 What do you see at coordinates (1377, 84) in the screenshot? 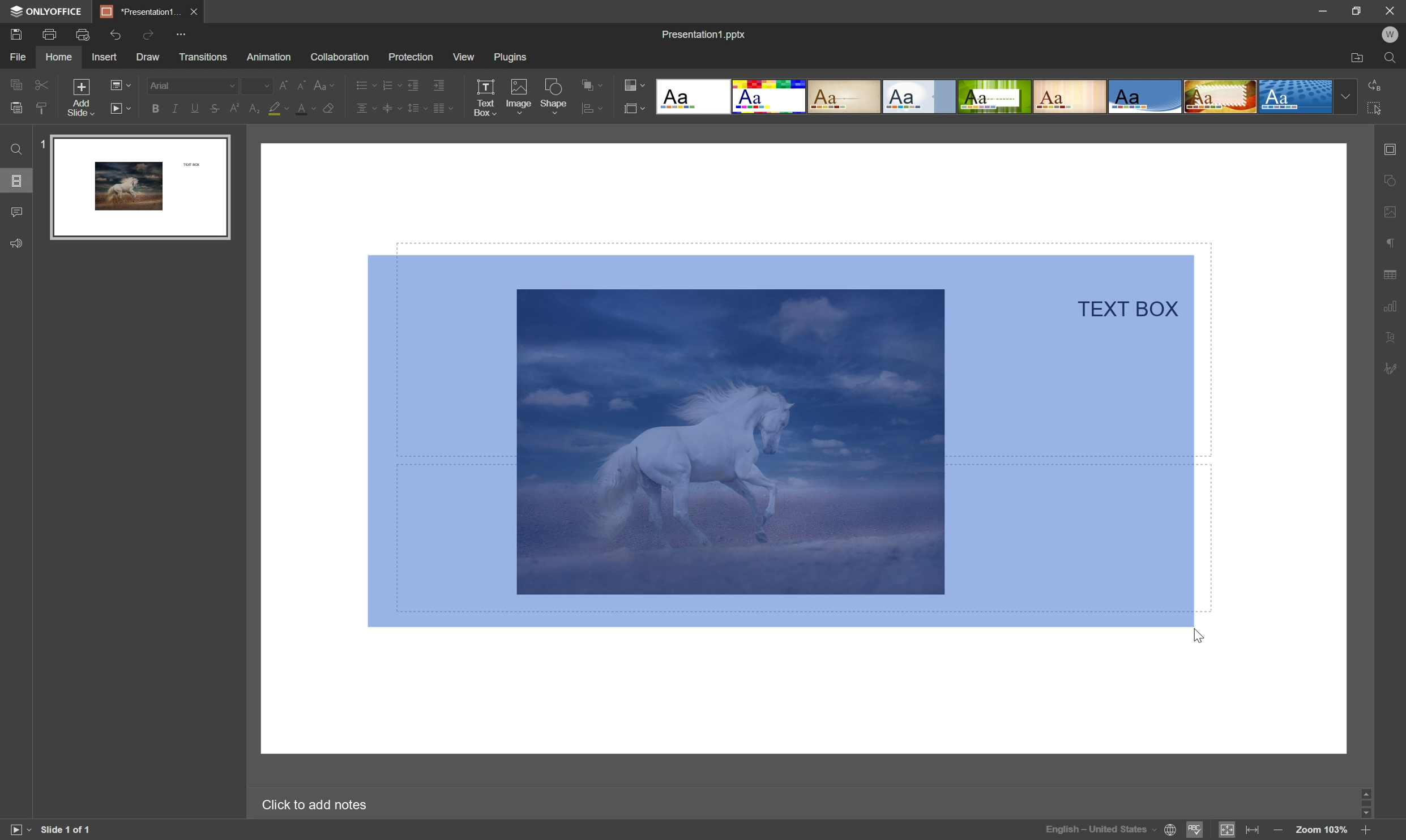
I see `replace` at bounding box center [1377, 84].